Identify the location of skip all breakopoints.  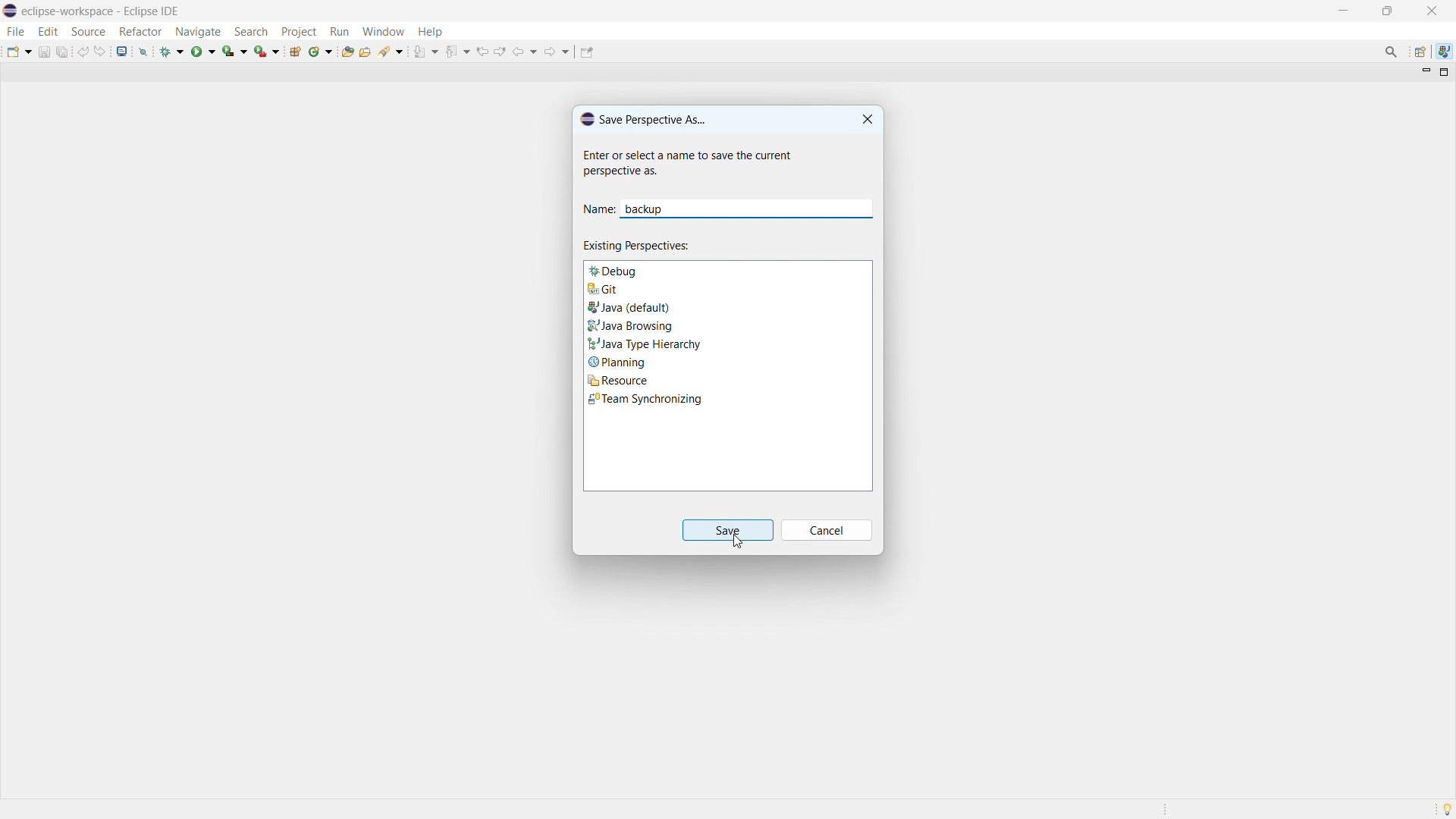
(143, 51).